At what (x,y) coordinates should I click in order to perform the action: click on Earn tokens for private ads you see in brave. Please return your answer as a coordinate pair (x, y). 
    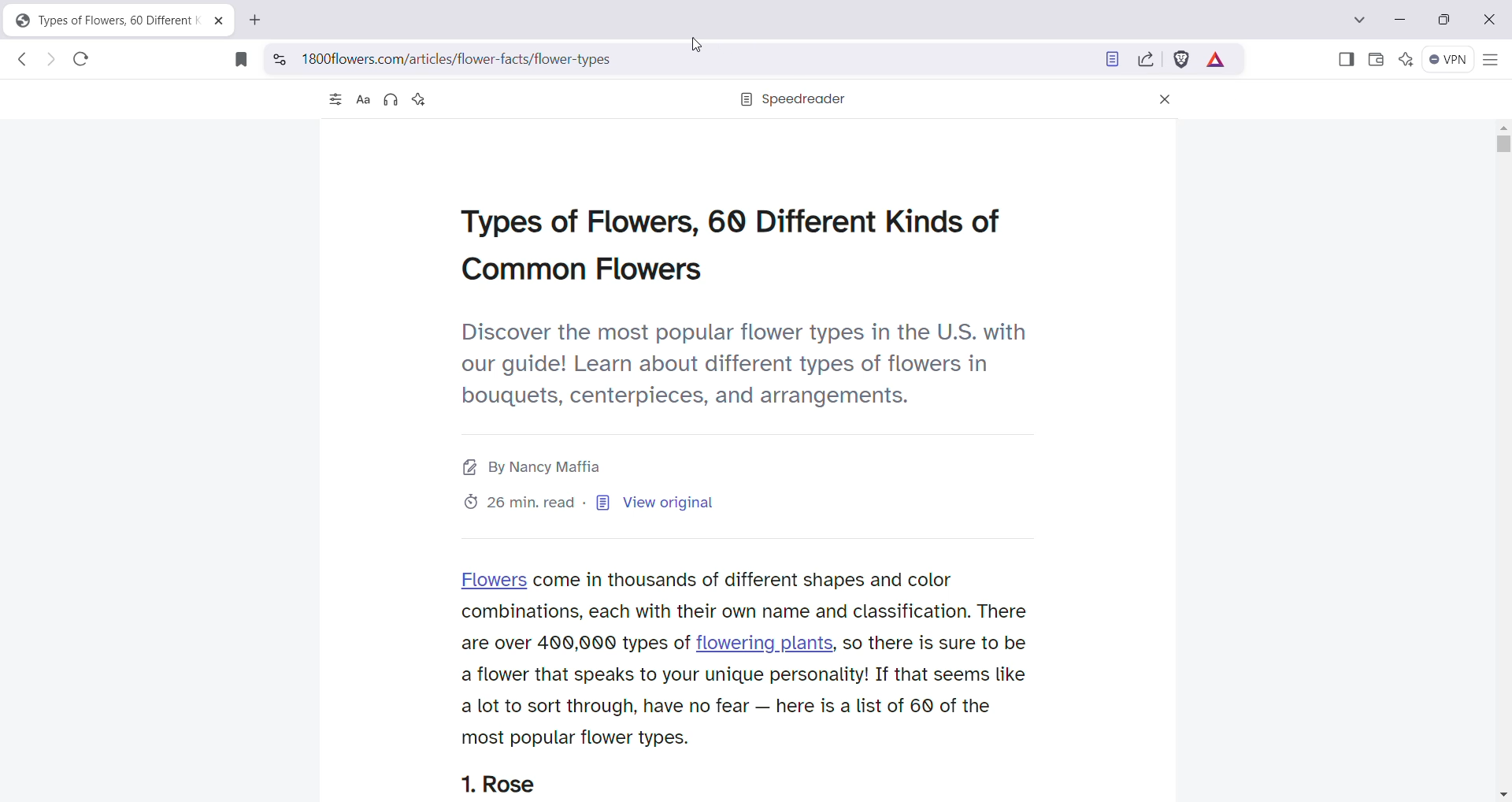
    Looking at the image, I should click on (1217, 60).